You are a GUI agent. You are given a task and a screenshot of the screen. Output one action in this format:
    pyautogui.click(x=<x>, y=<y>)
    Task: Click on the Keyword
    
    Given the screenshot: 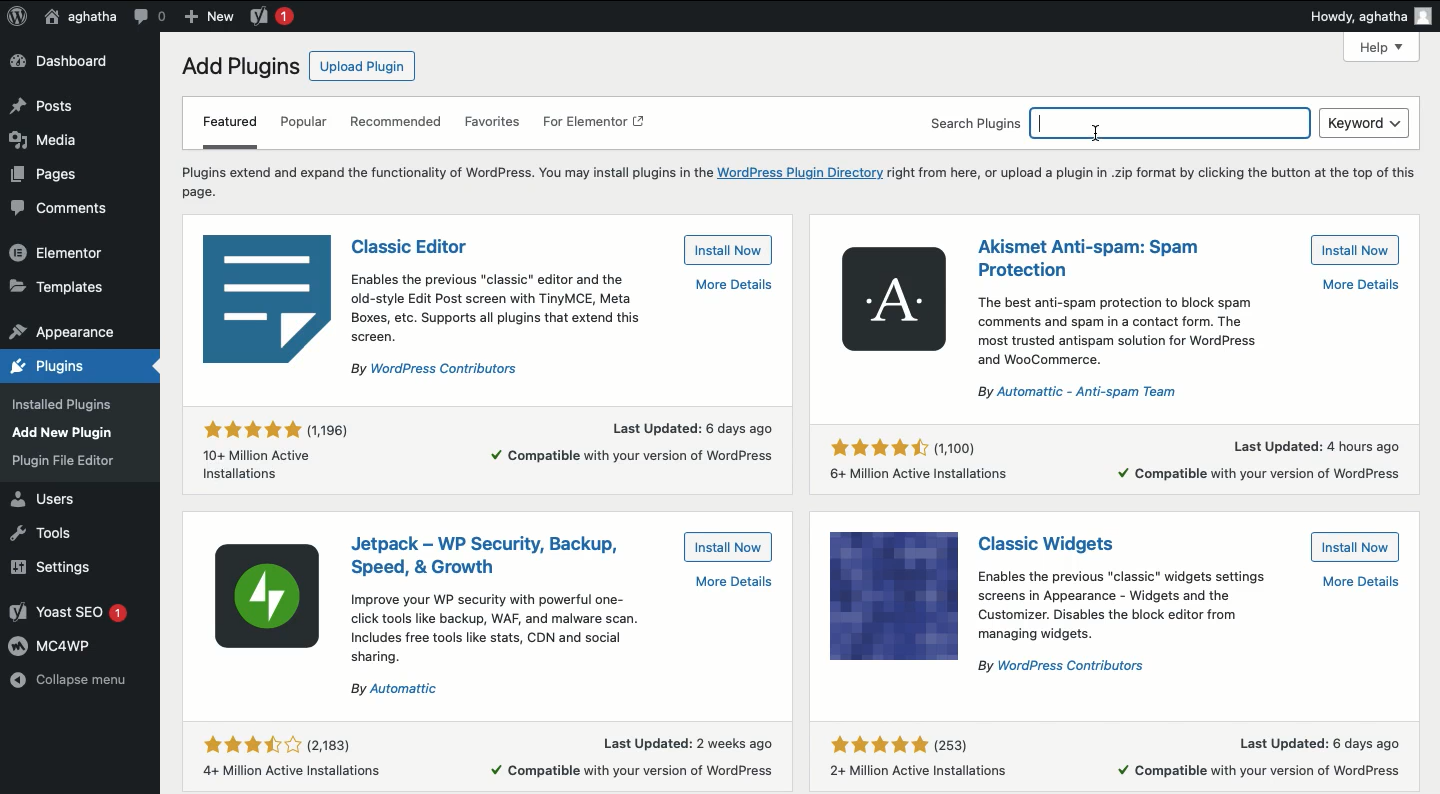 What is the action you would take?
    pyautogui.click(x=1365, y=123)
    